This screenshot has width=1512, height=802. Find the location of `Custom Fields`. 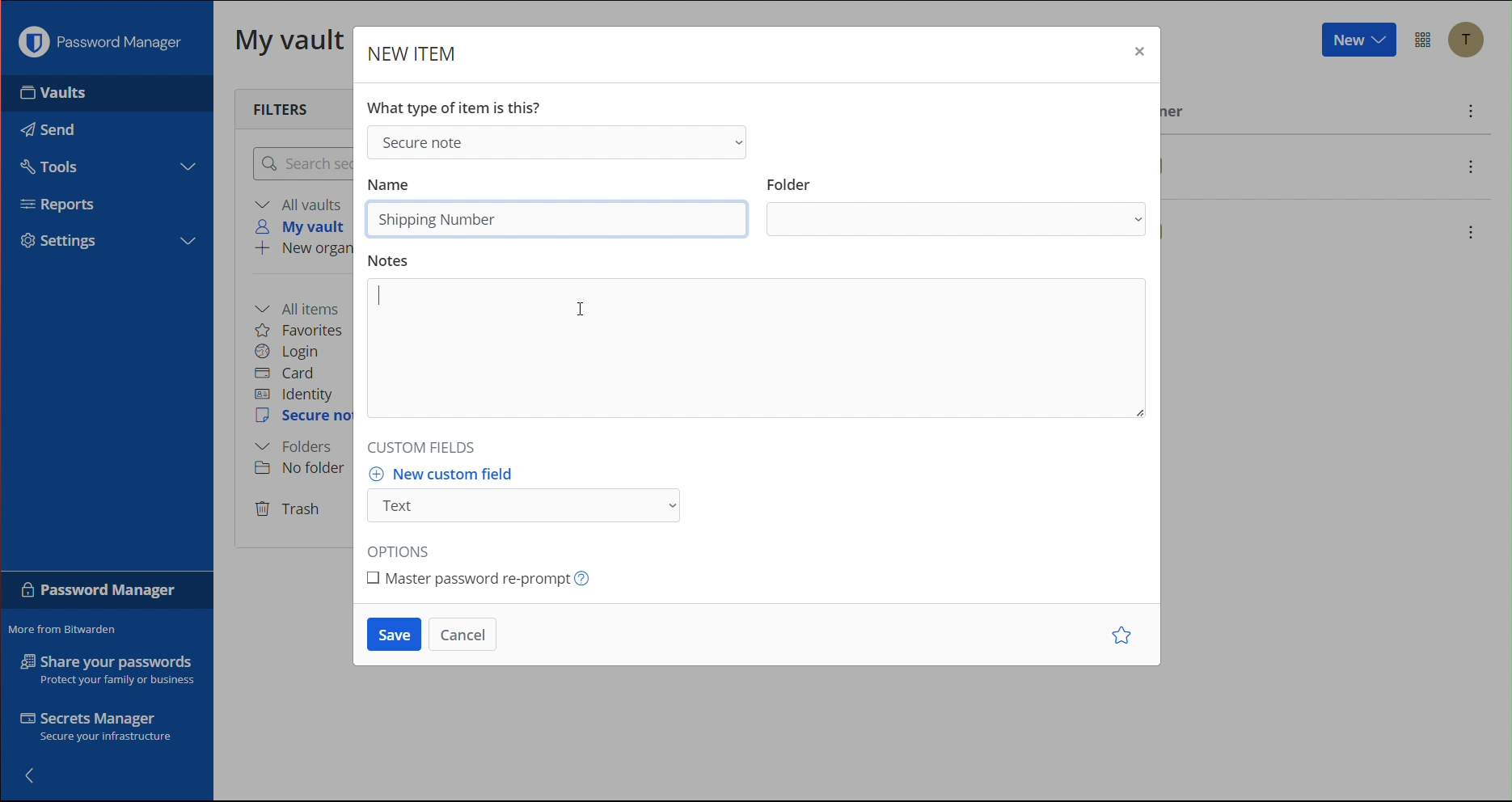

Custom Fields is located at coordinates (424, 445).